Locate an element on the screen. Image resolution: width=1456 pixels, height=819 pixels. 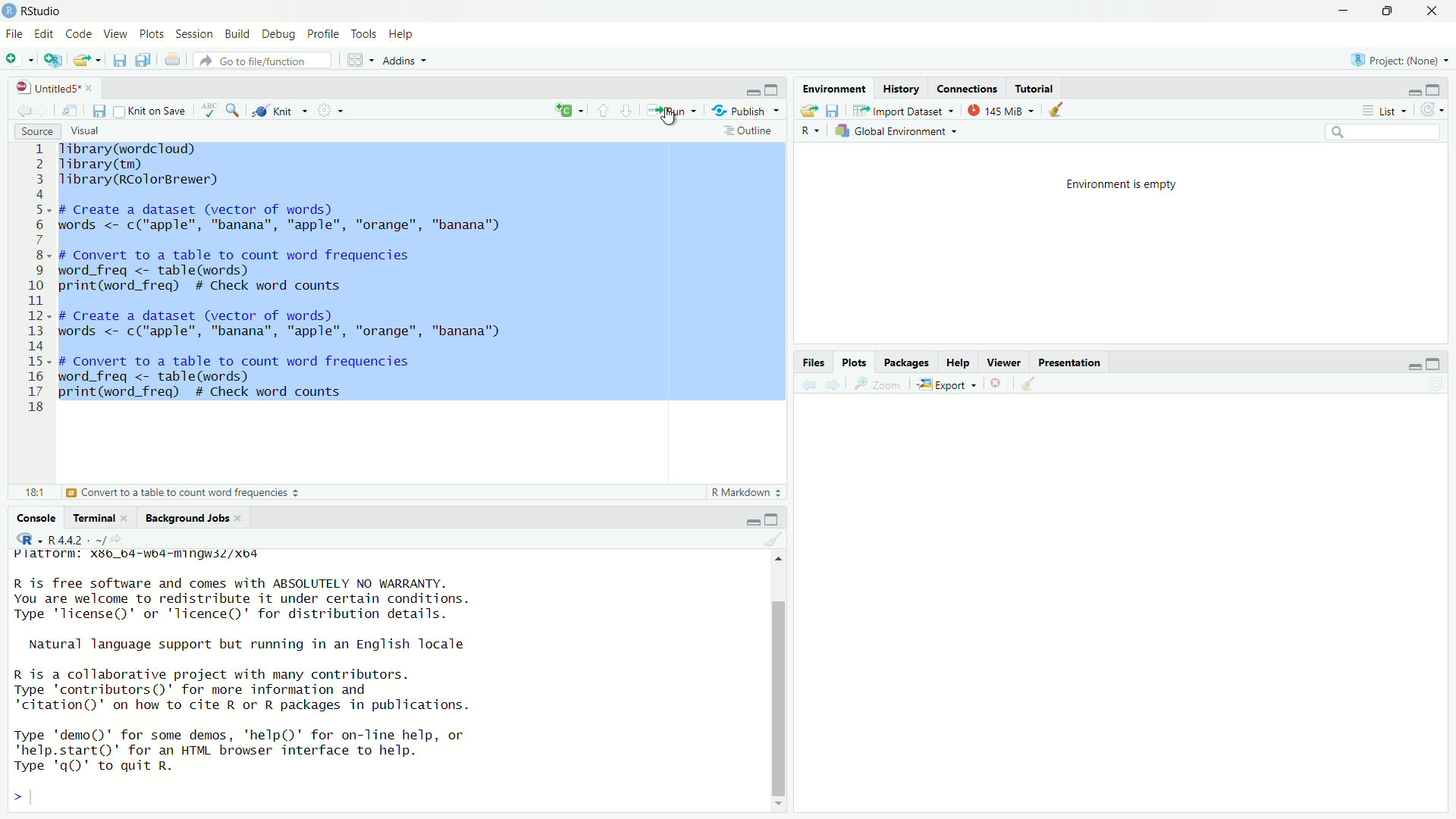
Untitled is located at coordinates (56, 88).